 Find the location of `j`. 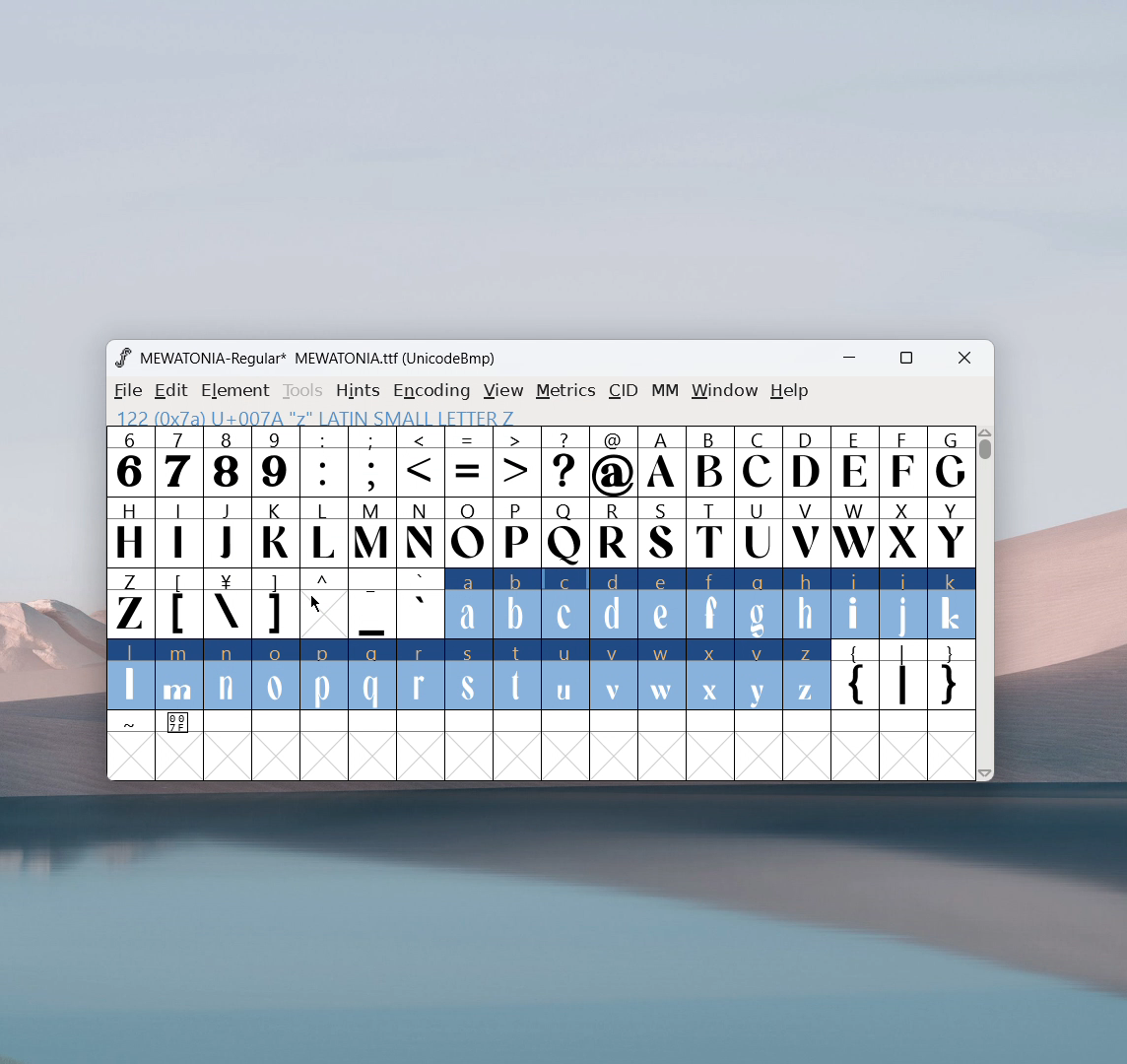

j is located at coordinates (904, 604).